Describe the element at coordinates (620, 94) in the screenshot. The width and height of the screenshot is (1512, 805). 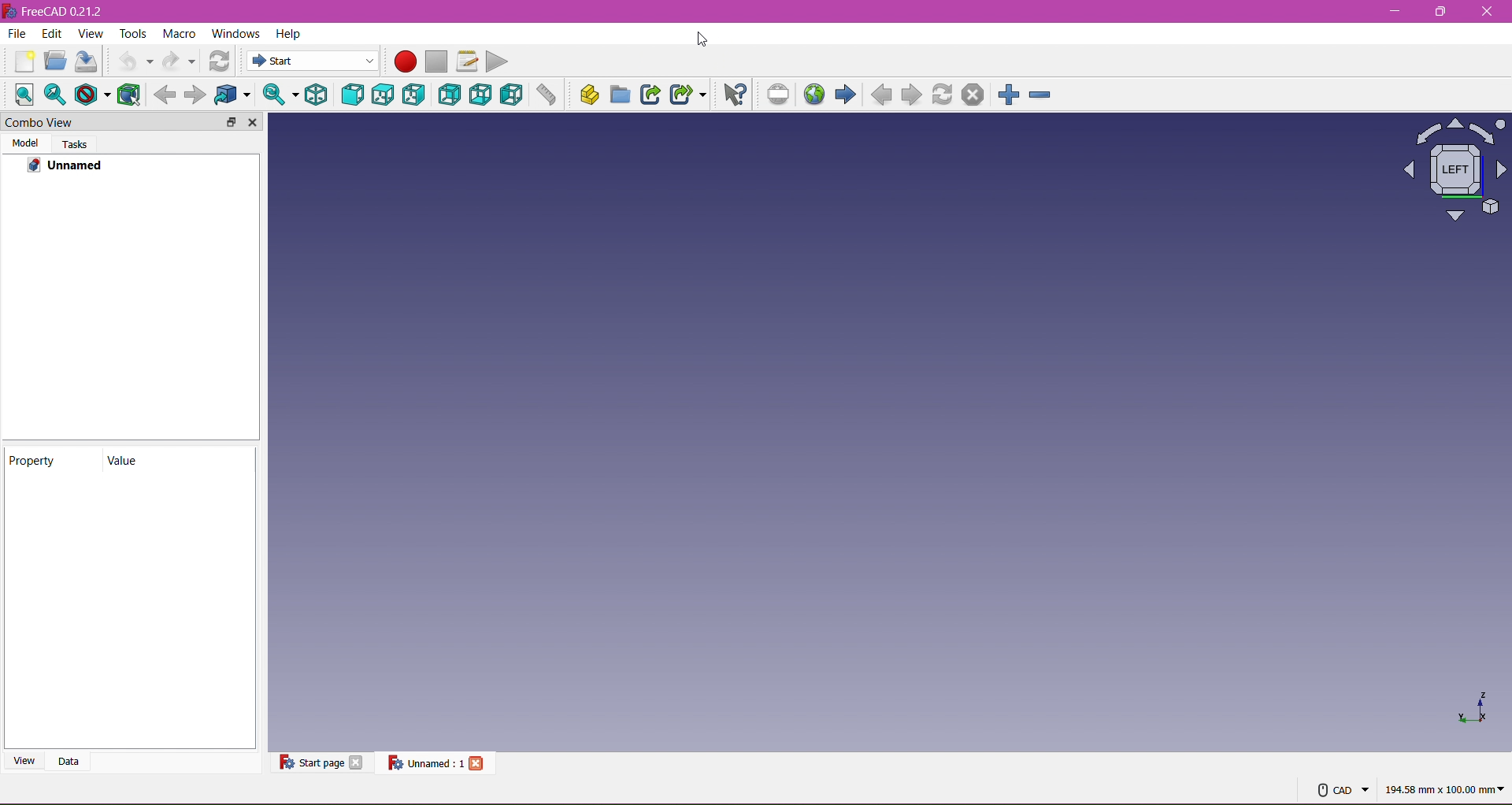
I see `Create Group` at that location.